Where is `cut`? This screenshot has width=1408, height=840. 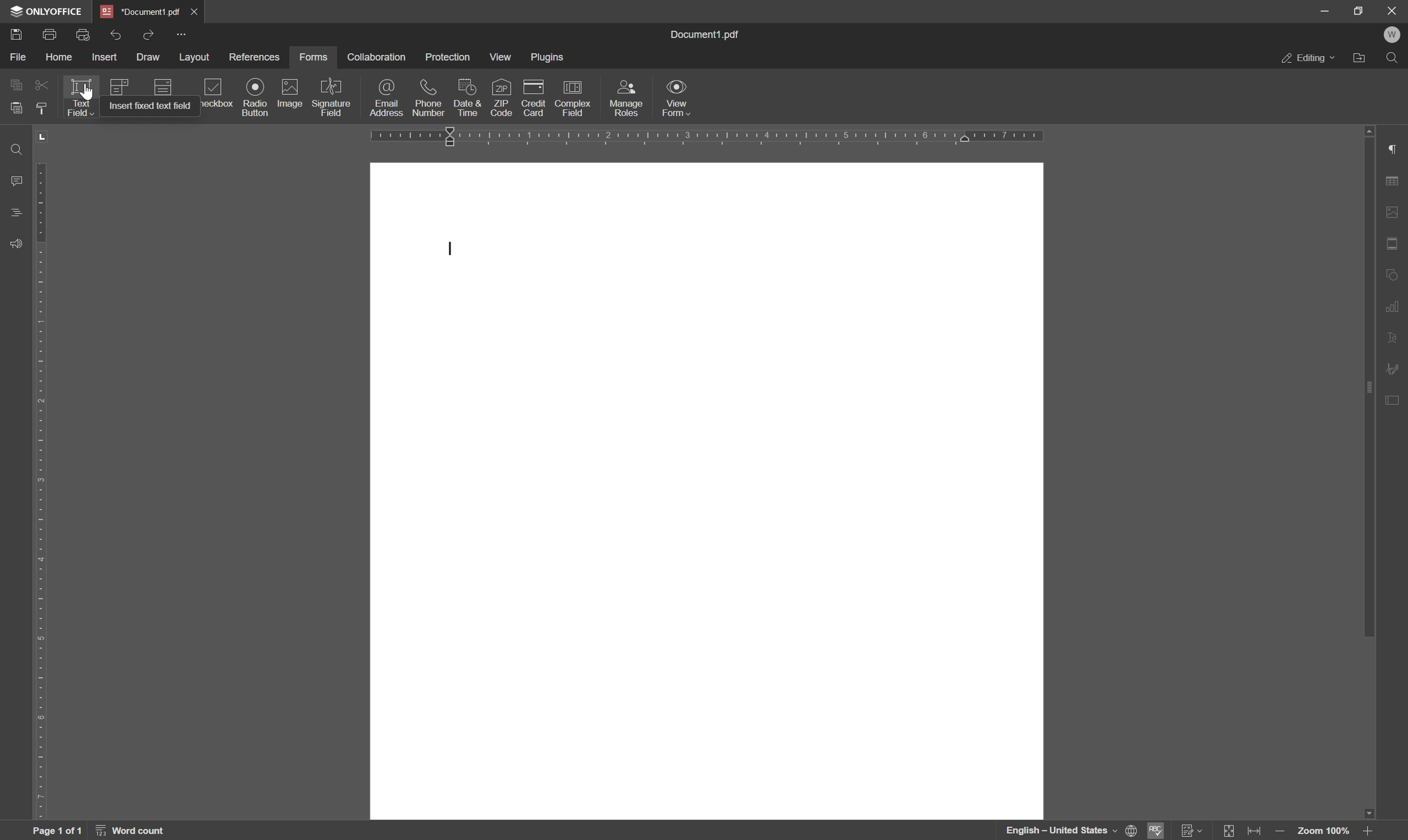 cut is located at coordinates (38, 86).